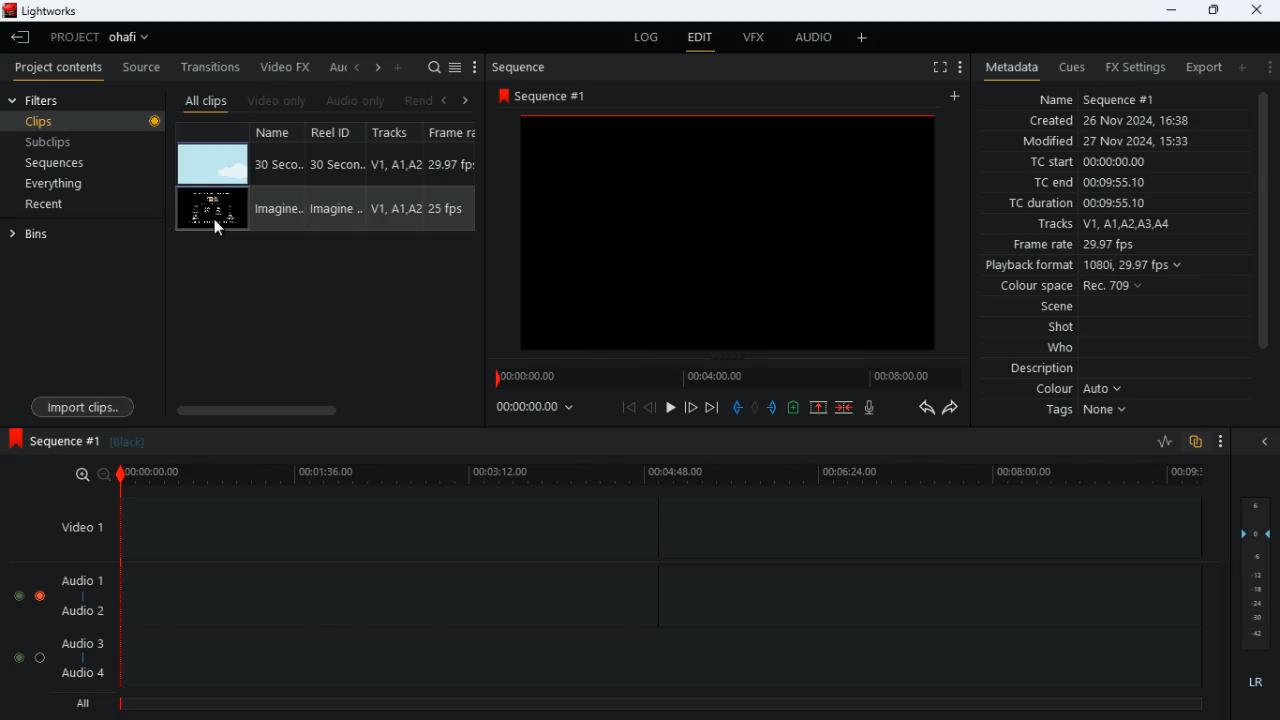 The image size is (1280, 720). I want to click on menu, so click(960, 65).